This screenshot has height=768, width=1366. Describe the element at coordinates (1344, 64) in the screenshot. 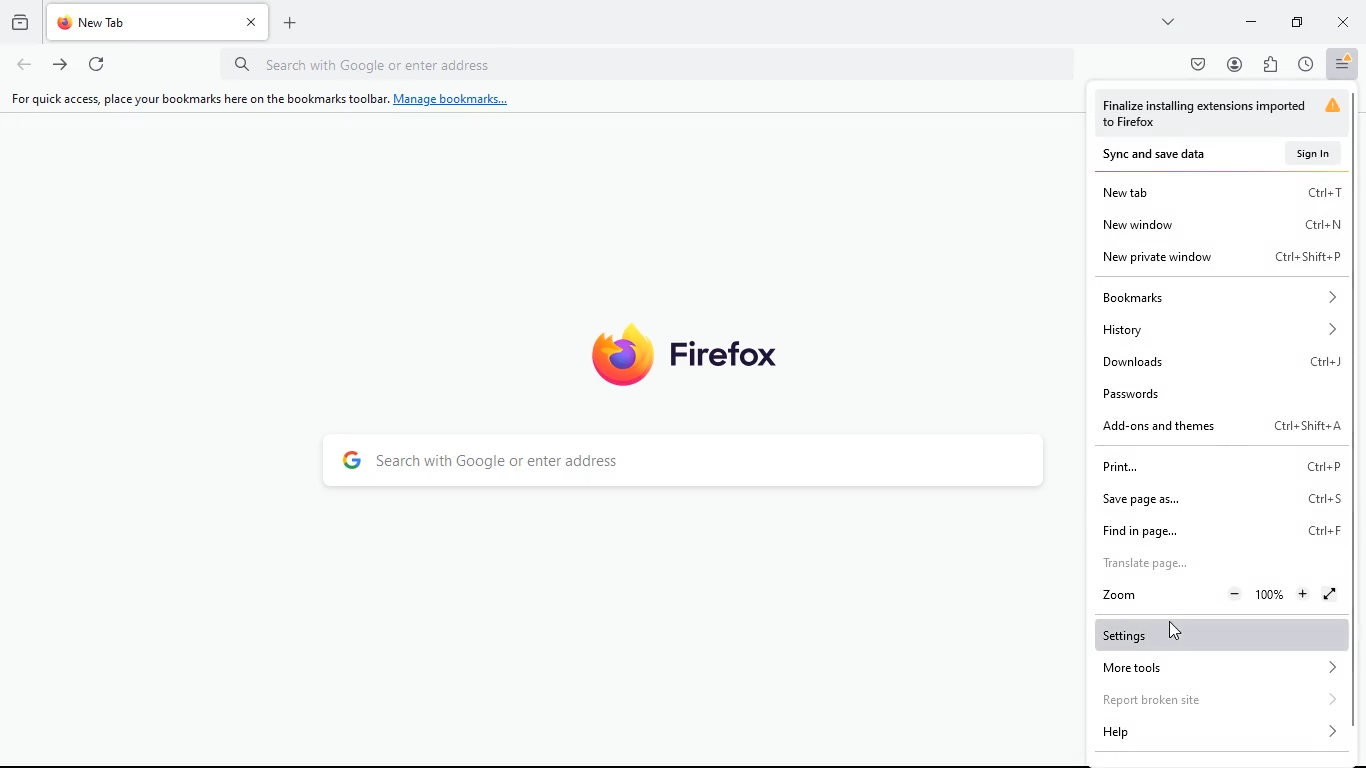

I see `menu` at that location.